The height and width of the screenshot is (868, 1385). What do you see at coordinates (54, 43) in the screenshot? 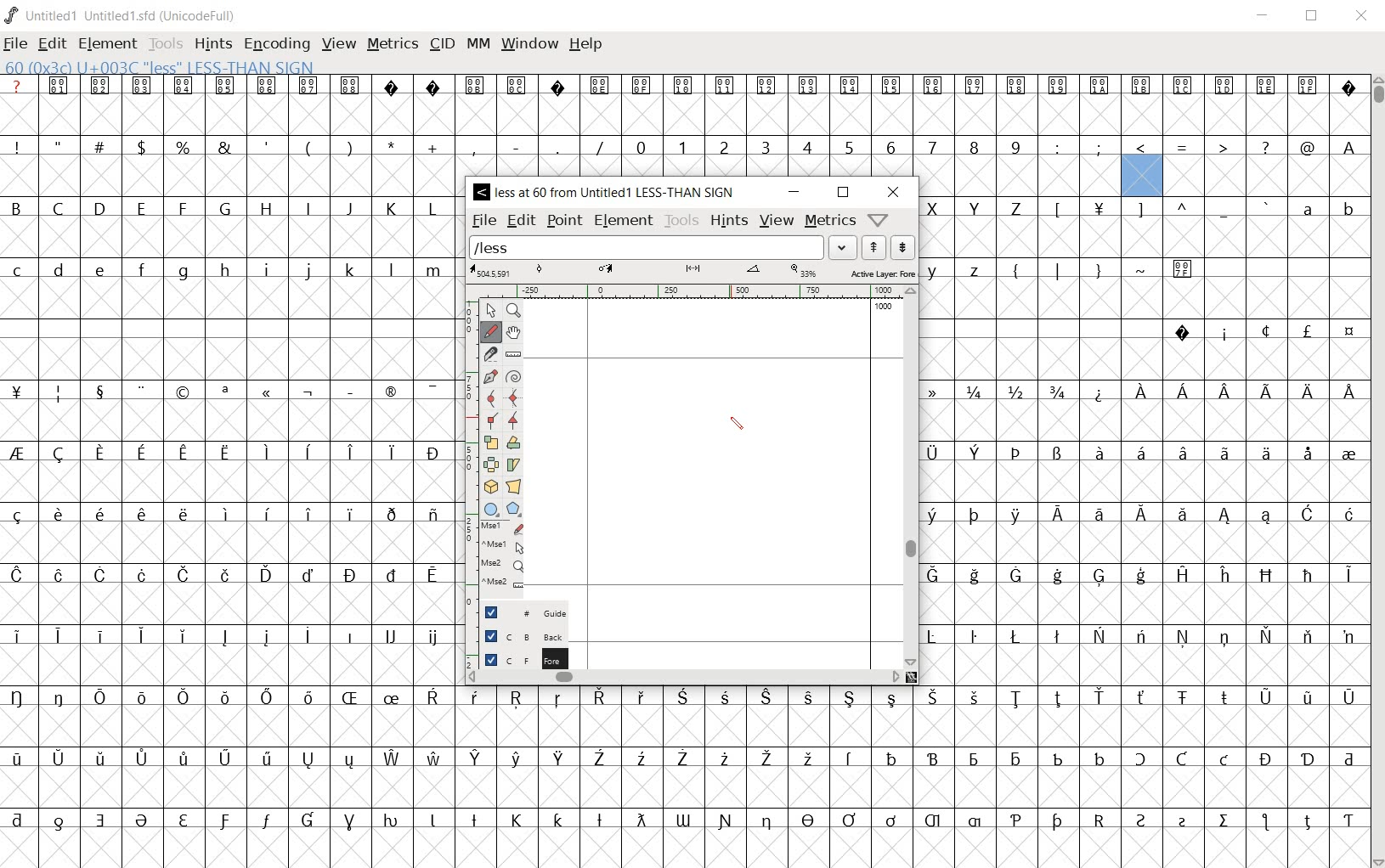
I see `edit` at bounding box center [54, 43].